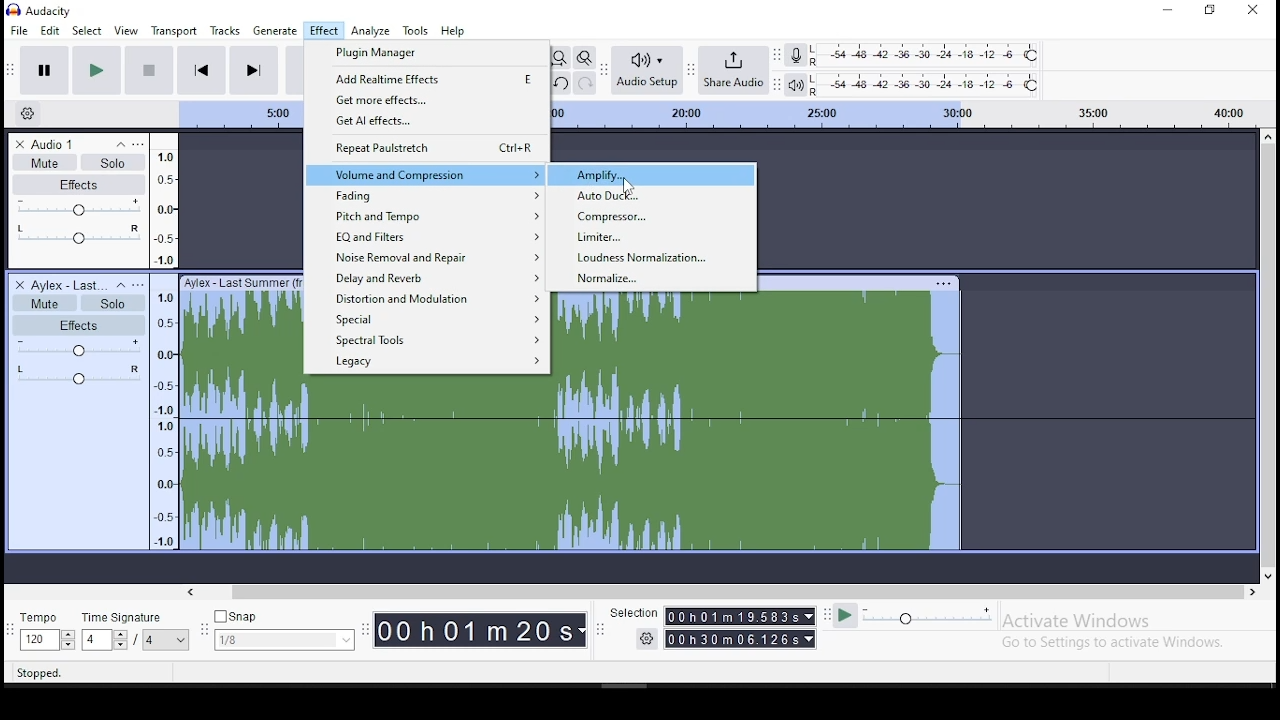 The width and height of the screenshot is (1280, 720). What do you see at coordinates (425, 123) in the screenshot?
I see `get AI effects` at bounding box center [425, 123].